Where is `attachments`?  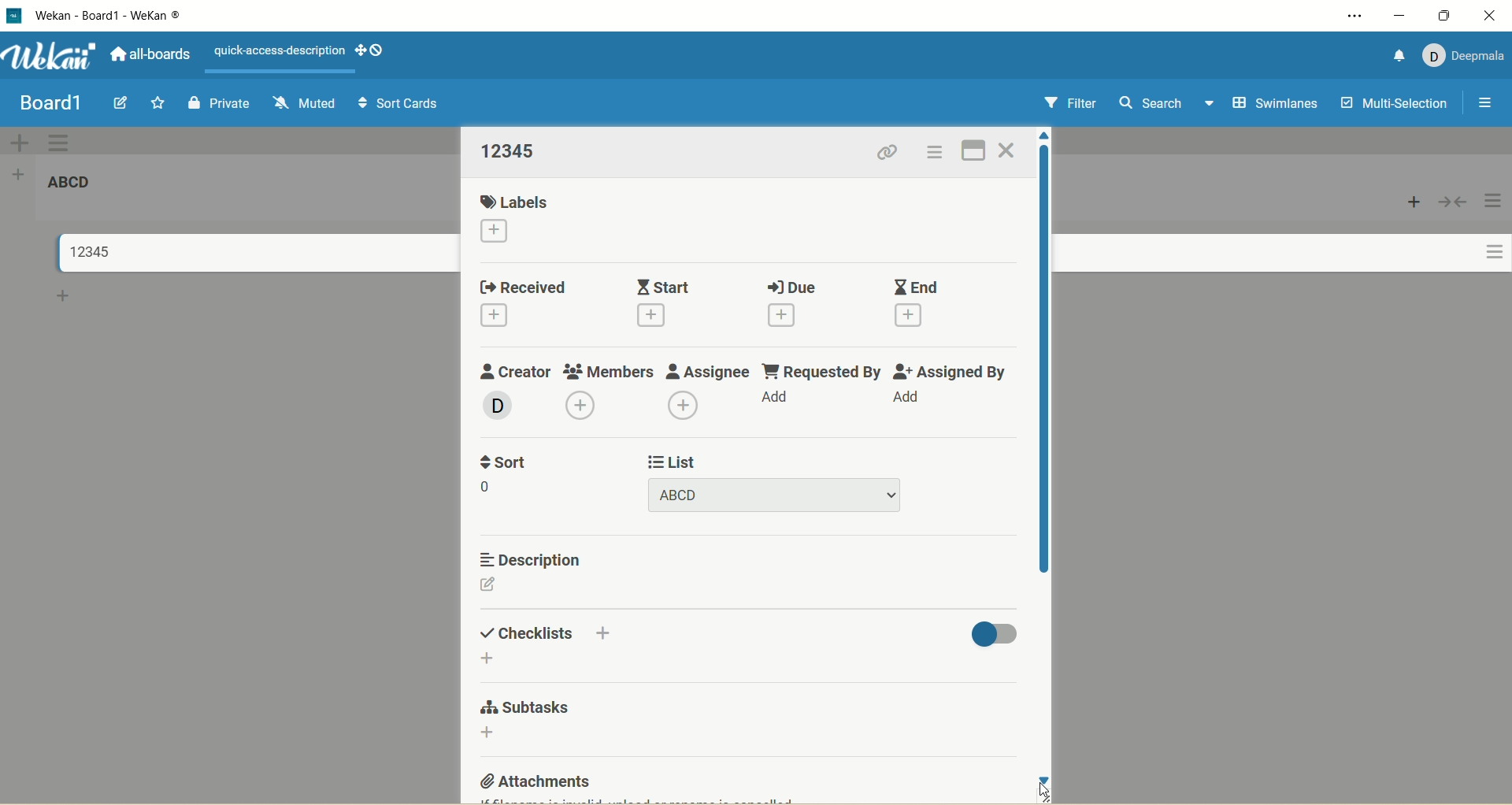
attachments is located at coordinates (533, 785).